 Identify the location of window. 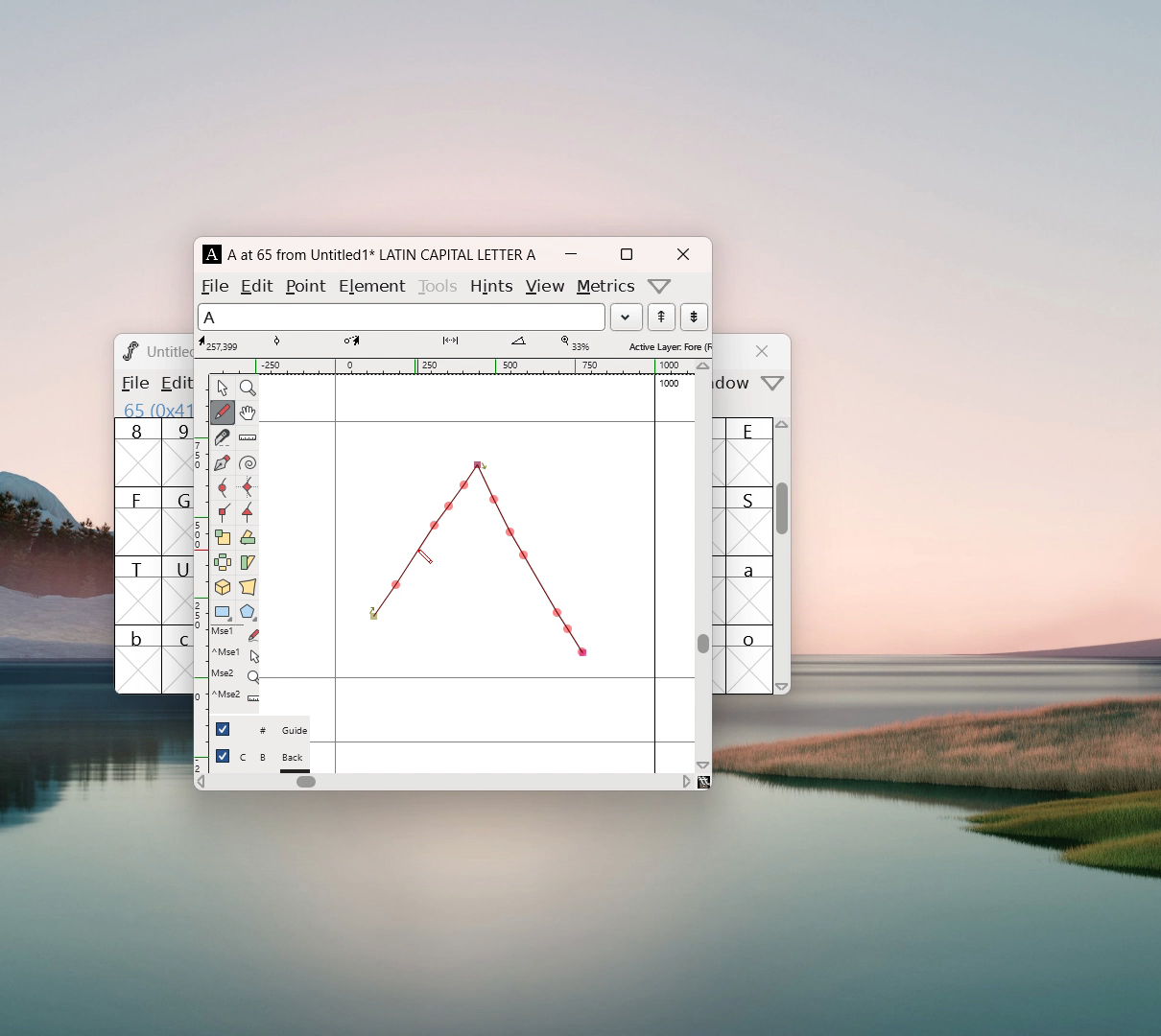
(735, 384).